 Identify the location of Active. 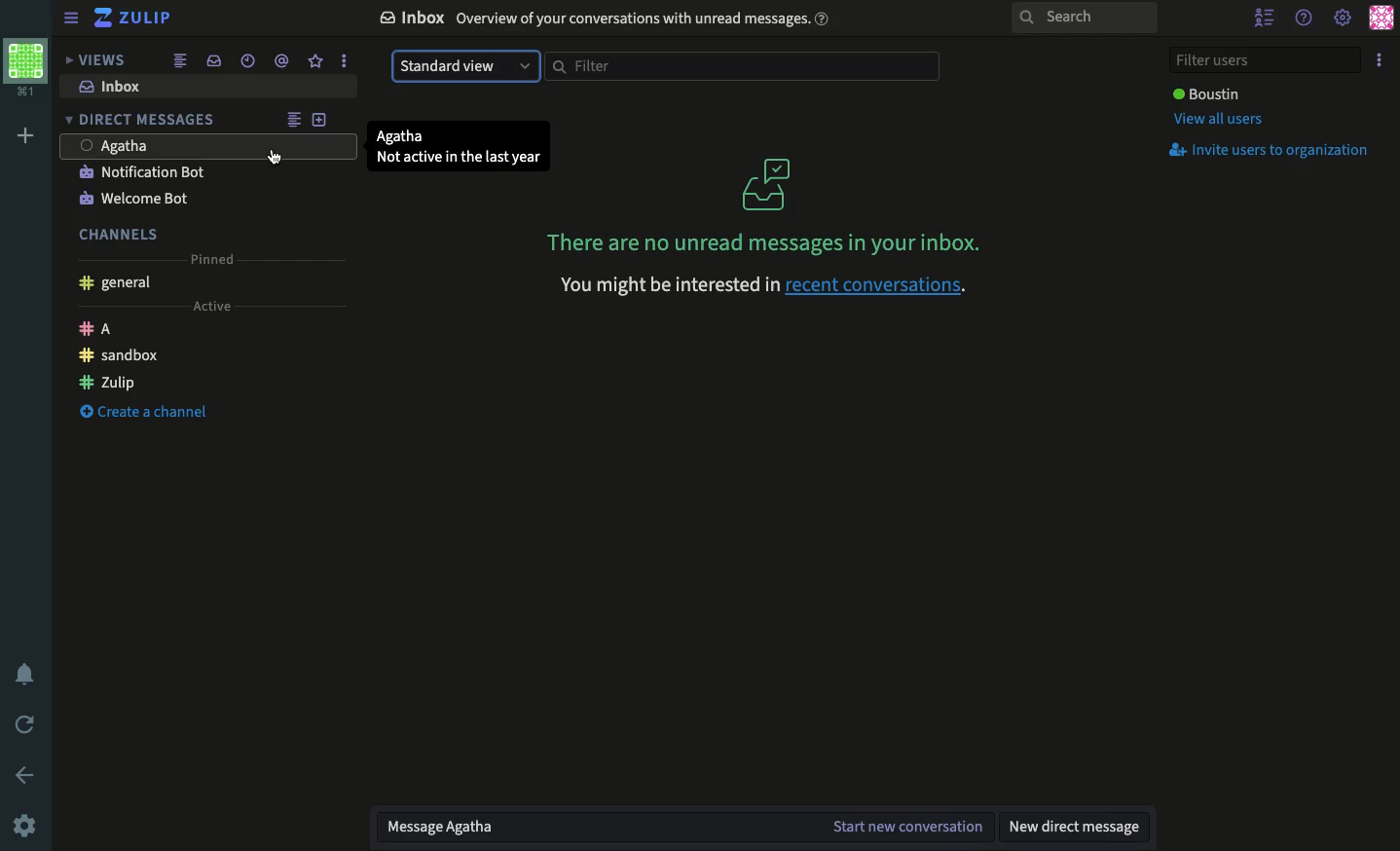
(212, 309).